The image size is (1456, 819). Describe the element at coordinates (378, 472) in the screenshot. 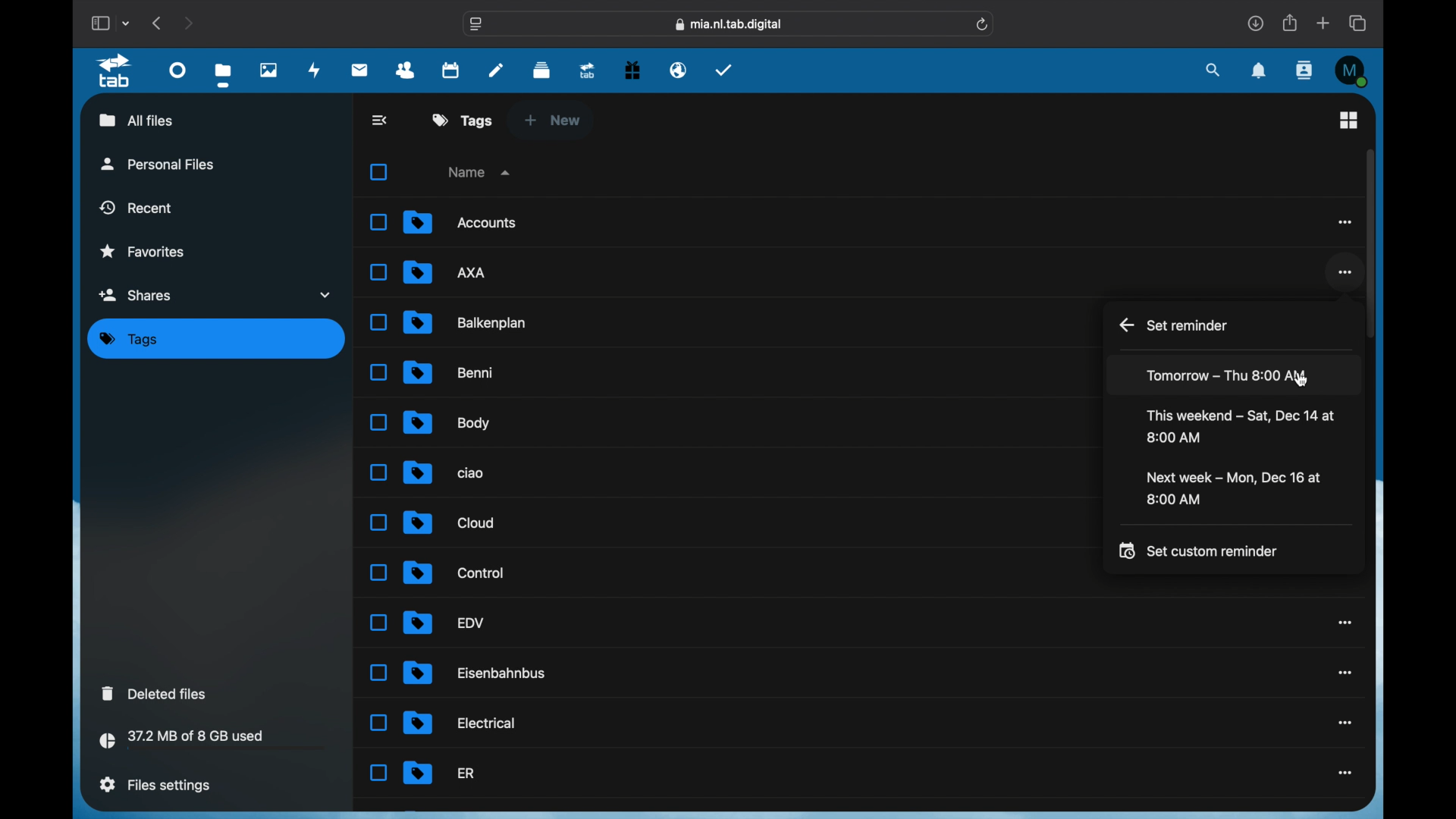

I see `Unselected Checkbox` at that location.